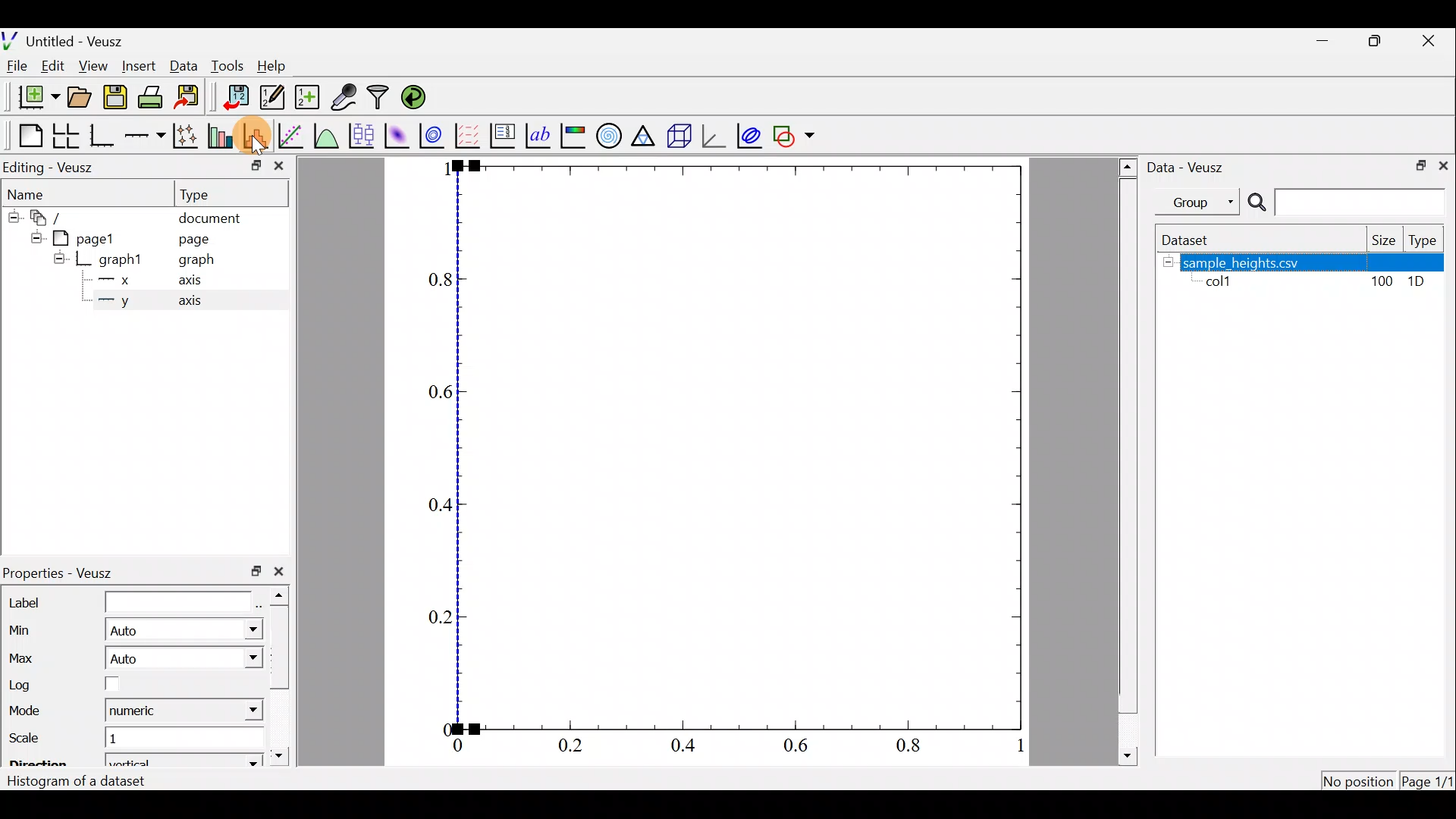 This screenshot has height=819, width=1456. Describe the element at coordinates (138, 66) in the screenshot. I see `Insert` at that location.